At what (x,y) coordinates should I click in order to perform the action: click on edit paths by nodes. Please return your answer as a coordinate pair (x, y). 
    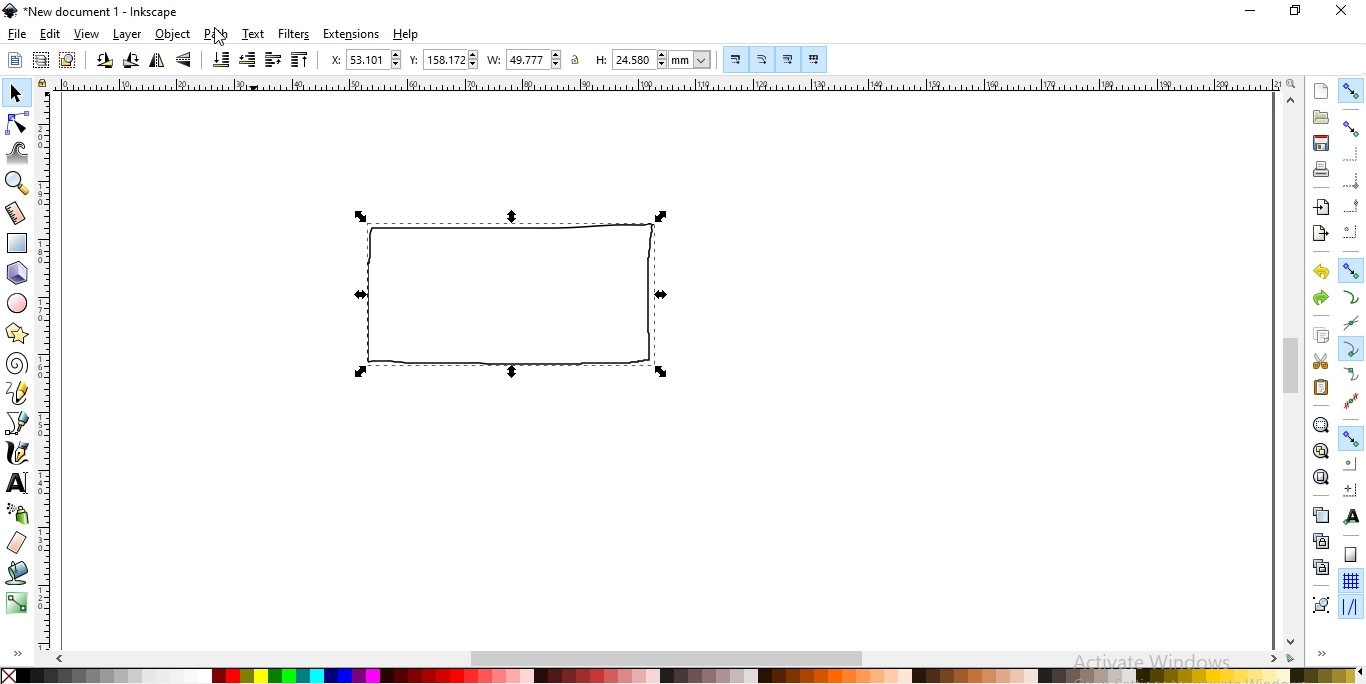
    Looking at the image, I should click on (18, 124).